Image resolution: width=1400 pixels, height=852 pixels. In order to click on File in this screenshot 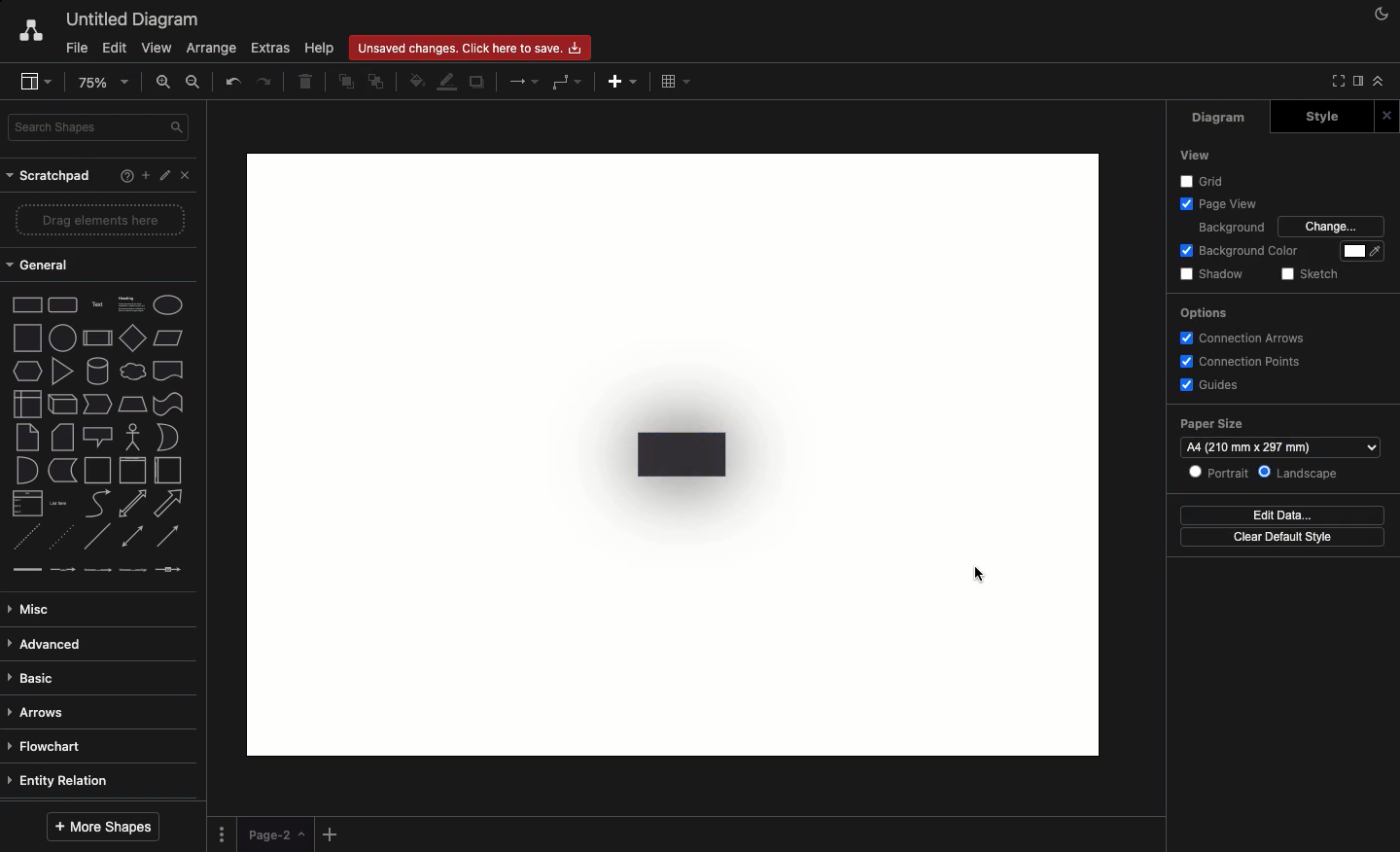, I will do `click(74, 48)`.